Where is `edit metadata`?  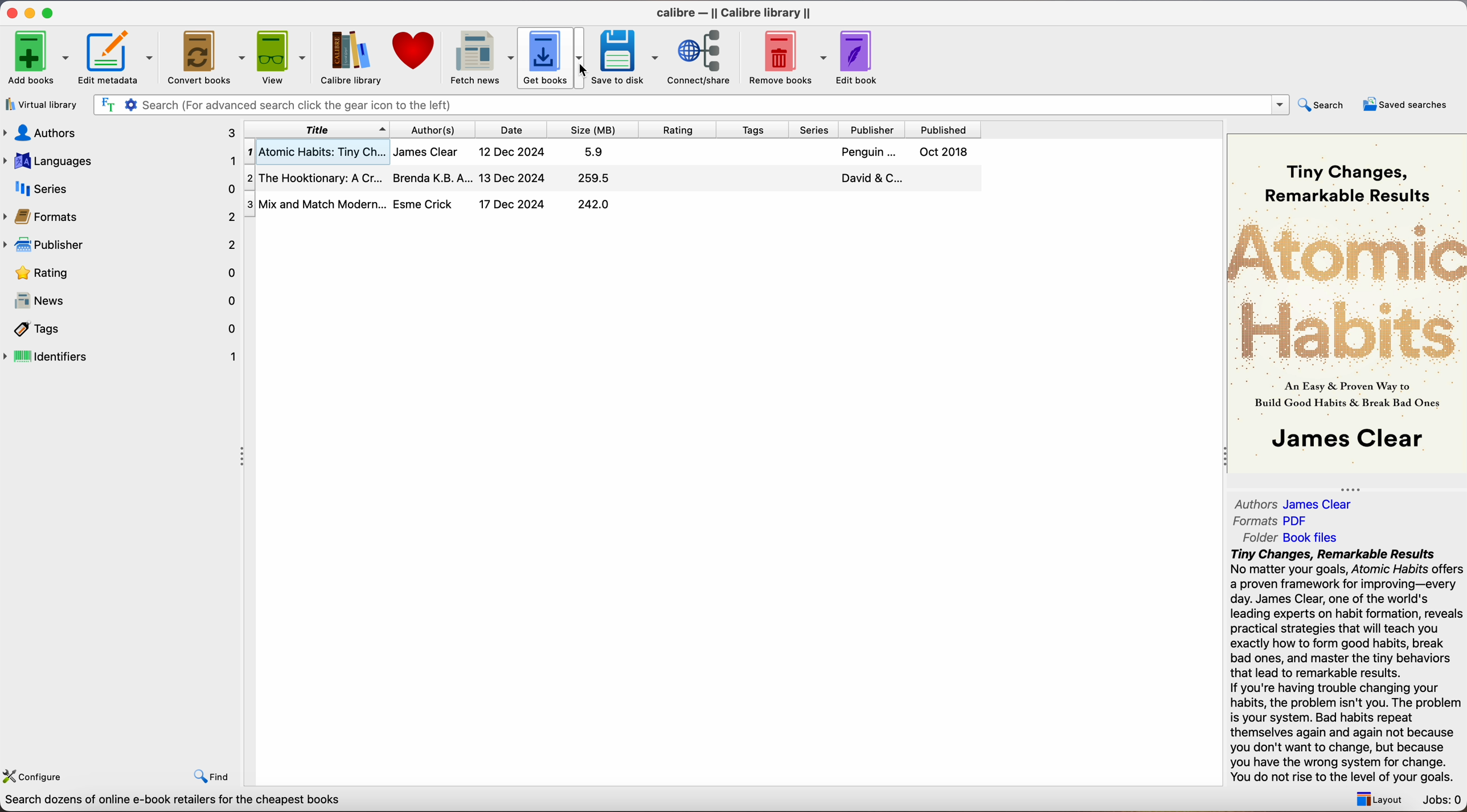
edit metadata is located at coordinates (119, 59).